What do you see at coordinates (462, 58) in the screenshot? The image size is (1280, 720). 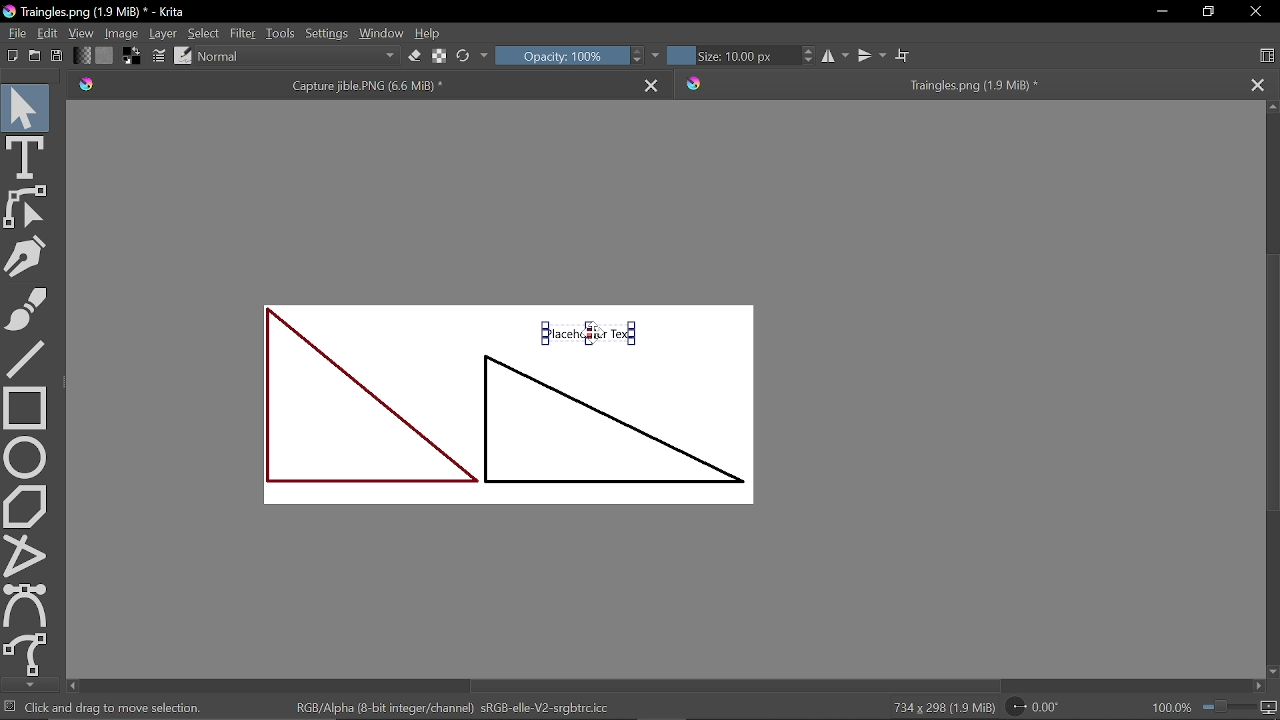 I see `Reload original preset` at bounding box center [462, 58].